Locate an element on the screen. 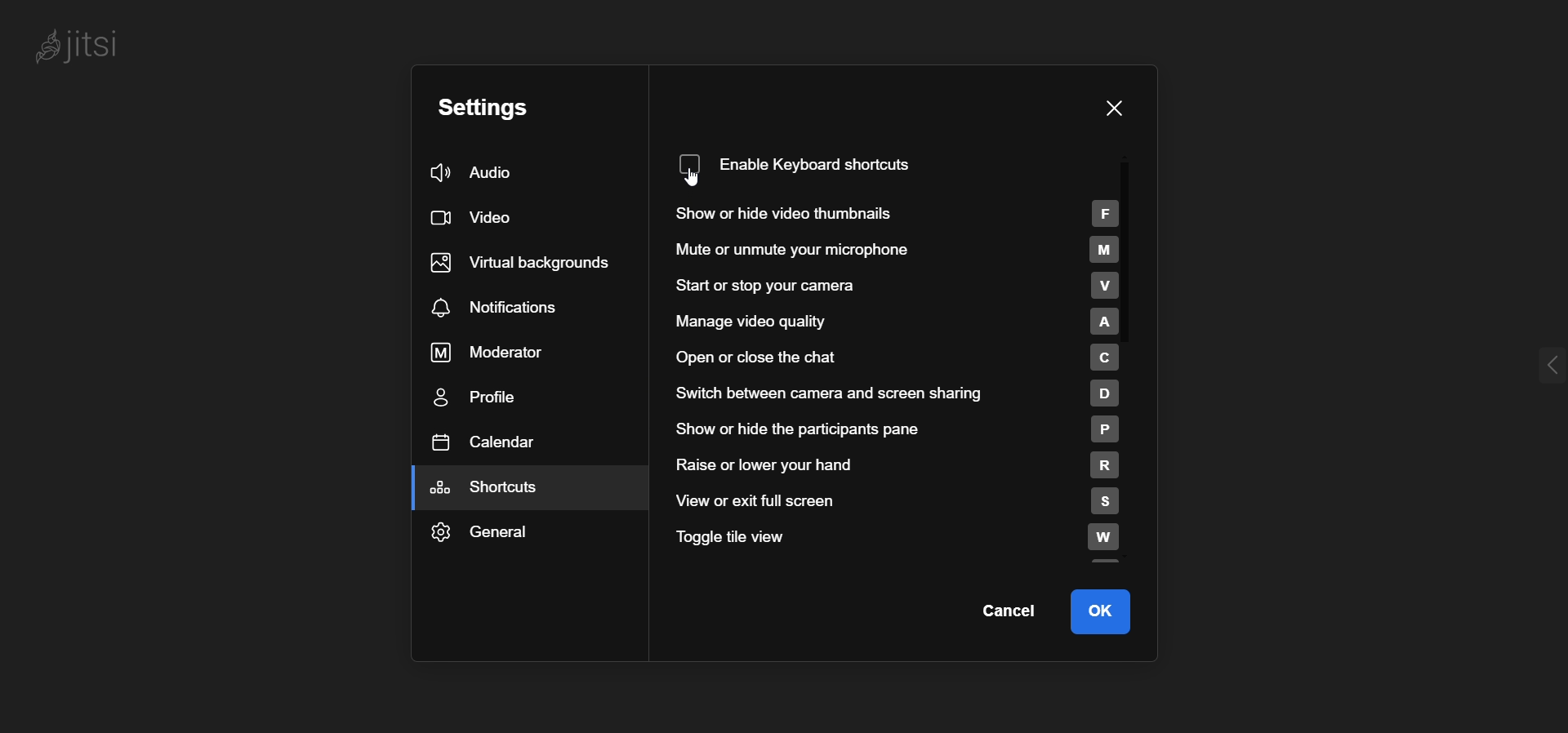 The width and height of the screenshot is (1568, 733). moderator is located at coordinates (496, 351).